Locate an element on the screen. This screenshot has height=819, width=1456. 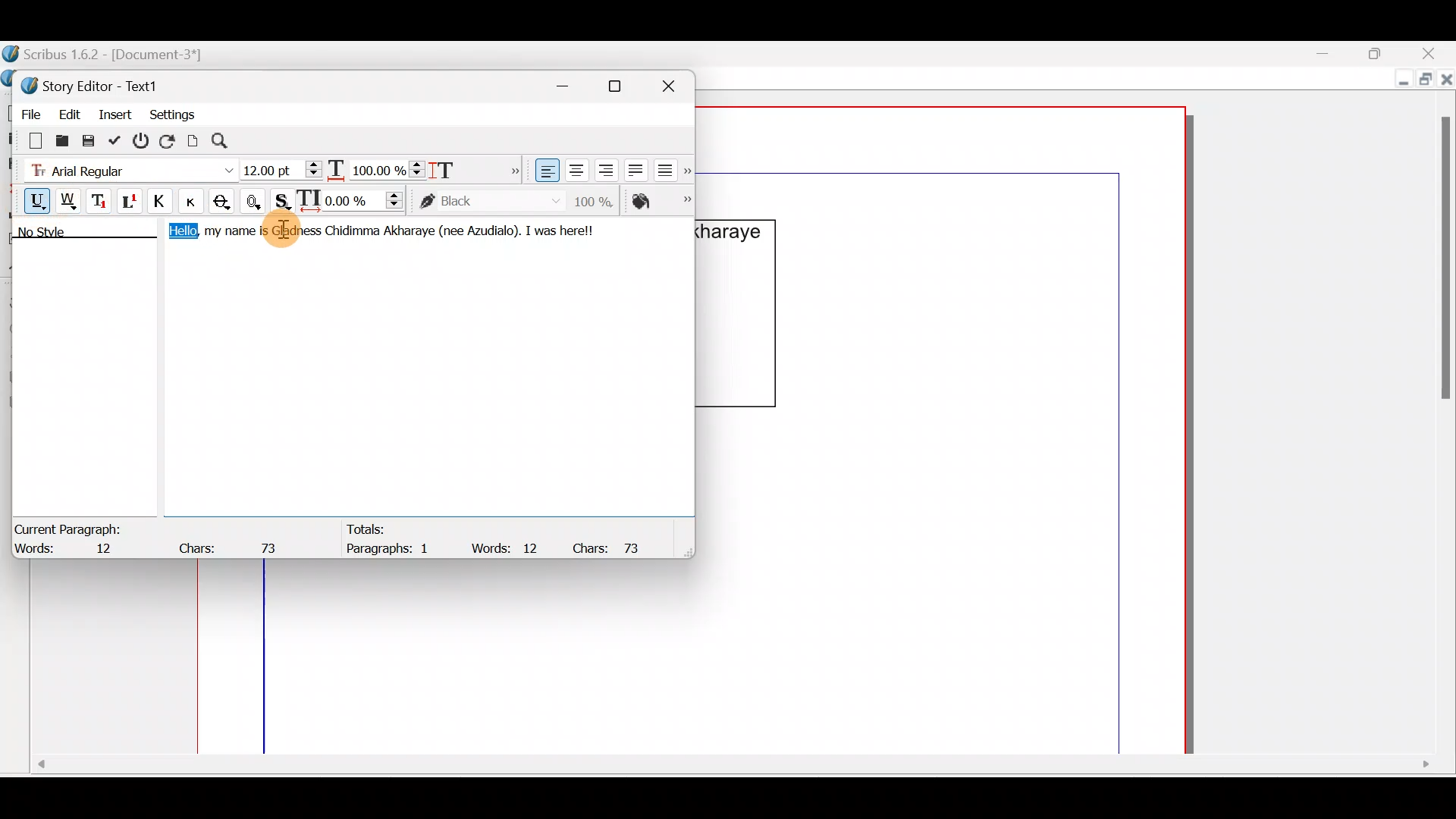
Scroll bar is located at coordinates (1440, 414).